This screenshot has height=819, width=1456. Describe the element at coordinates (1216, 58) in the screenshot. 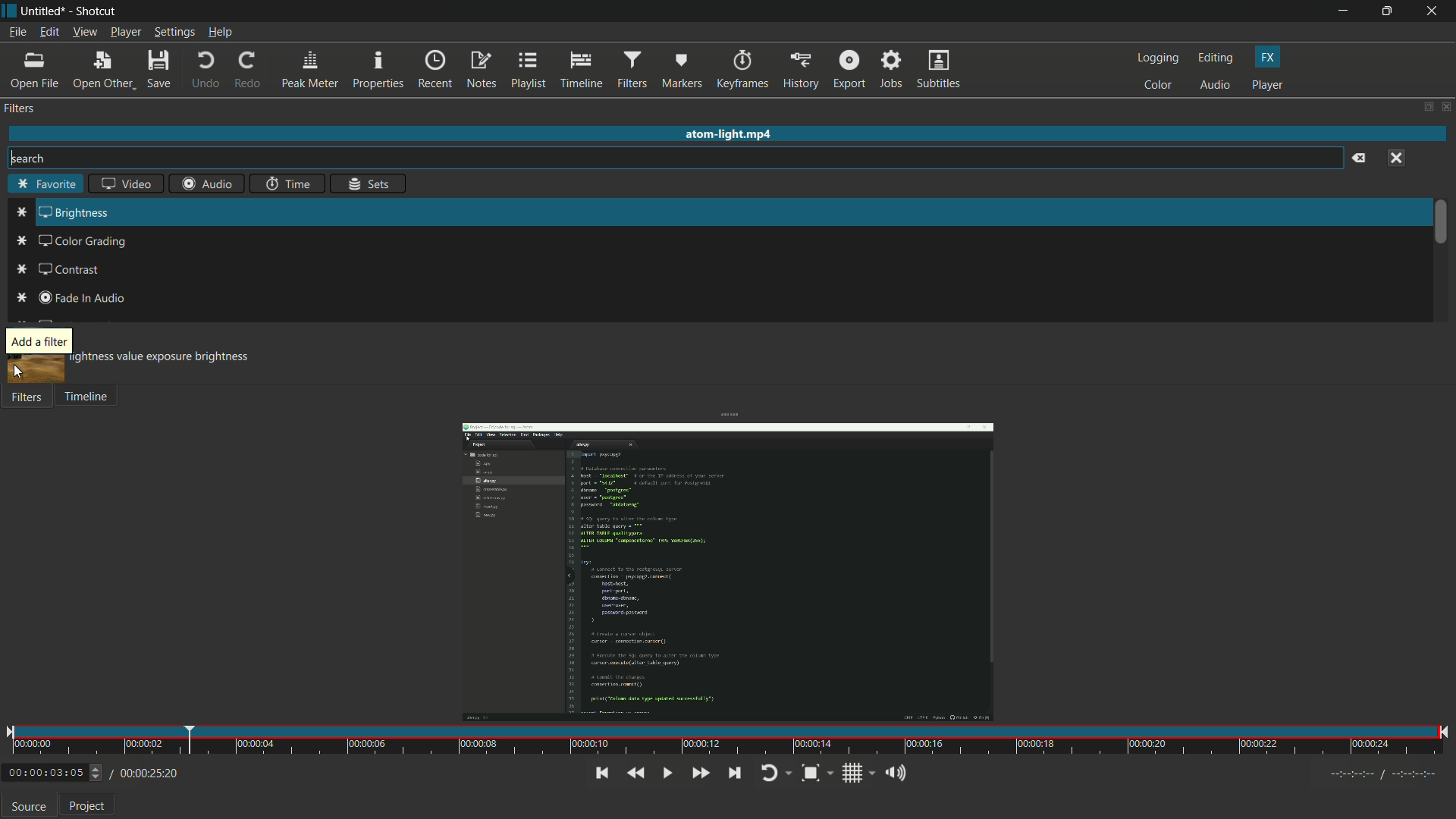

I see `editing` at that location.